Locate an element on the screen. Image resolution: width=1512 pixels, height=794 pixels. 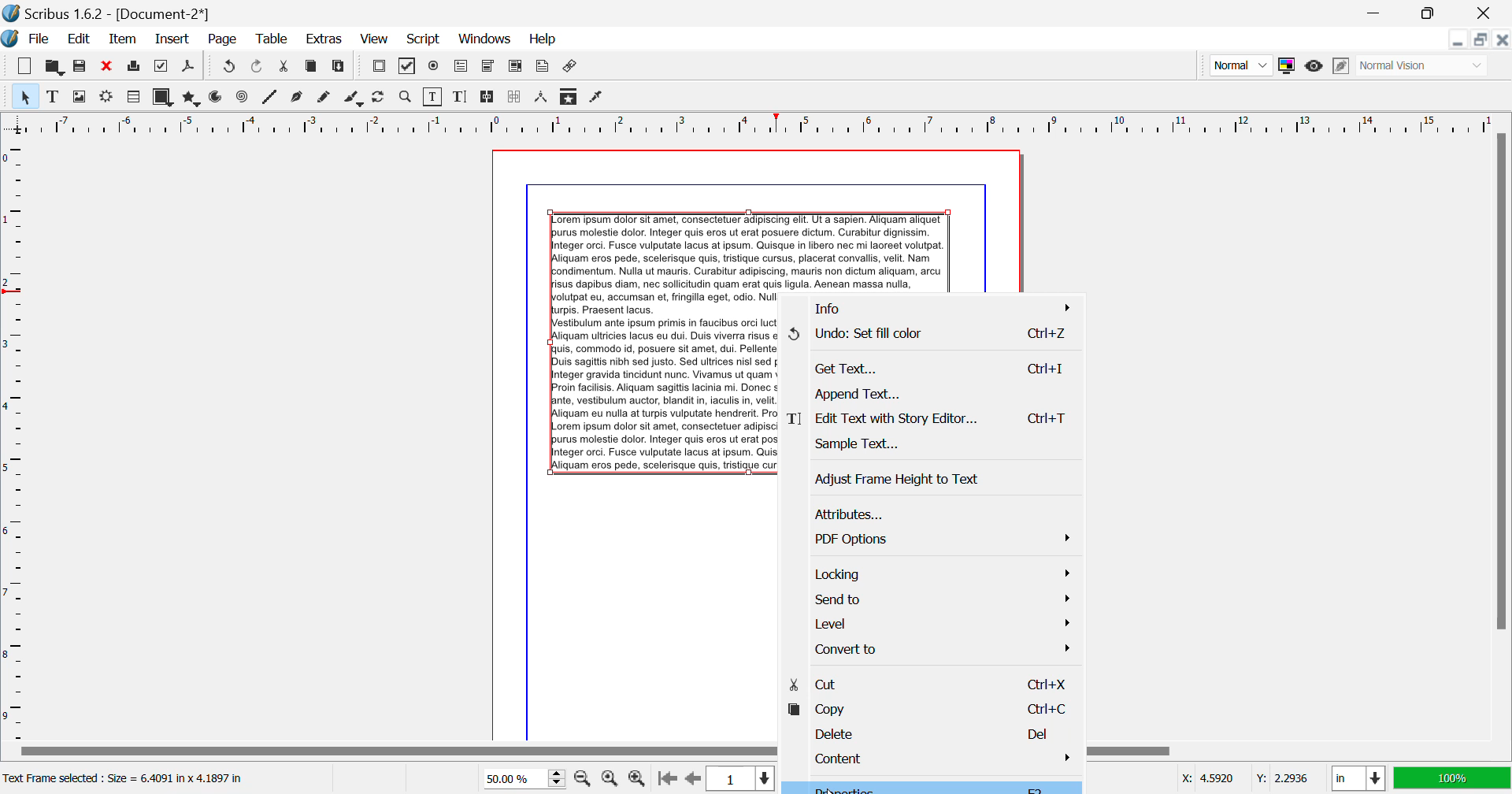
Image Frame is located at coordinates (79, 96).